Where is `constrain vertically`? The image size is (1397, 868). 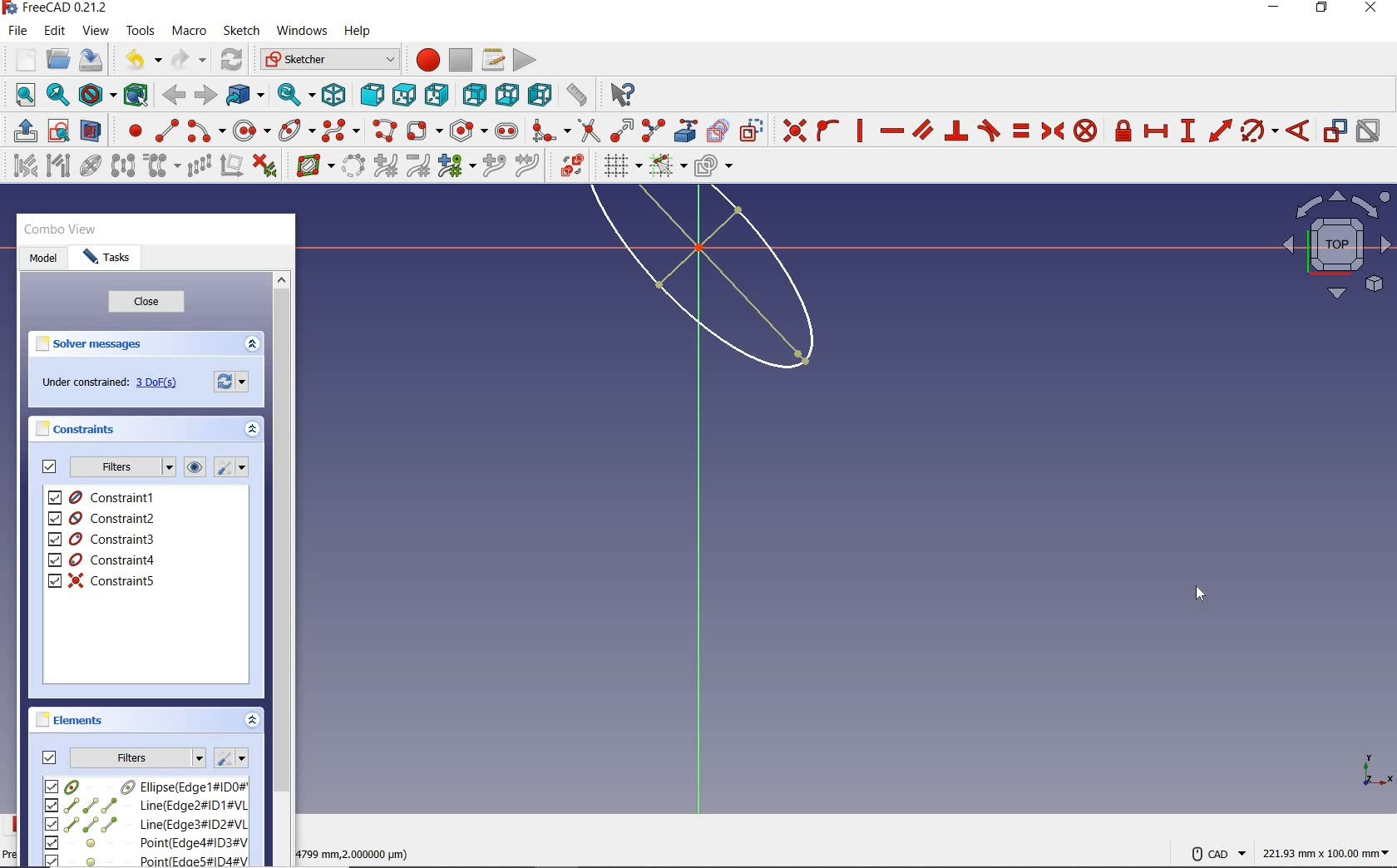
constrain vertically is located at coordinates (860, 131).